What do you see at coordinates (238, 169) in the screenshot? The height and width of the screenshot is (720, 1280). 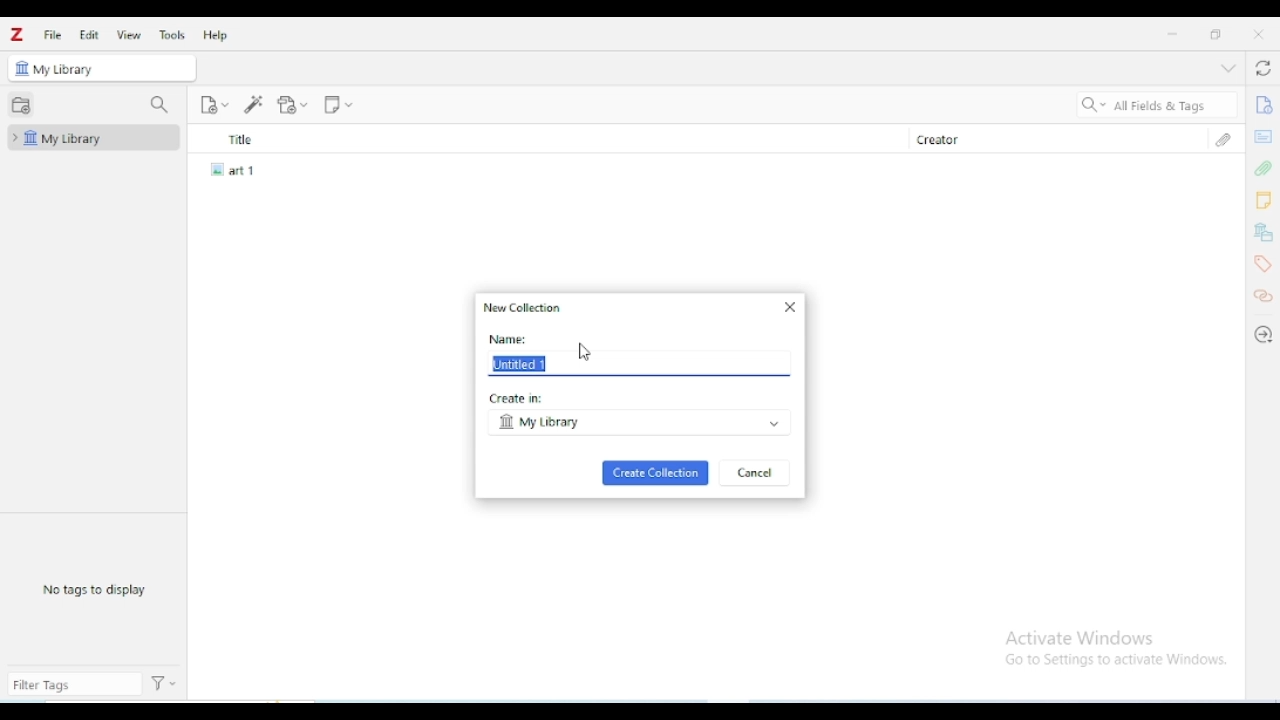 I see `art 1` at bounding box center [238, 169].